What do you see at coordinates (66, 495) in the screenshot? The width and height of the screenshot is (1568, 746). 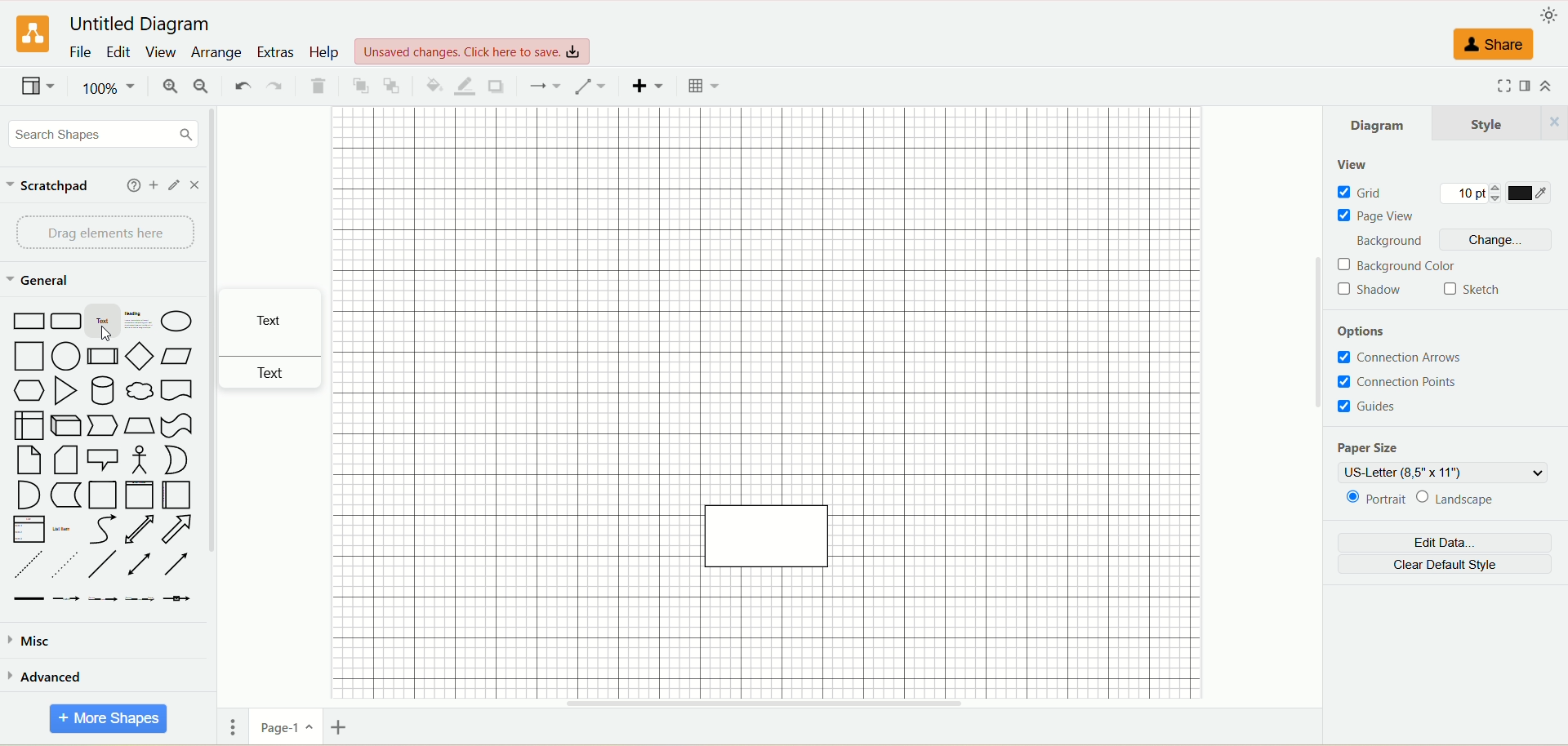 I see `storage` at bounding box center [66, 495].